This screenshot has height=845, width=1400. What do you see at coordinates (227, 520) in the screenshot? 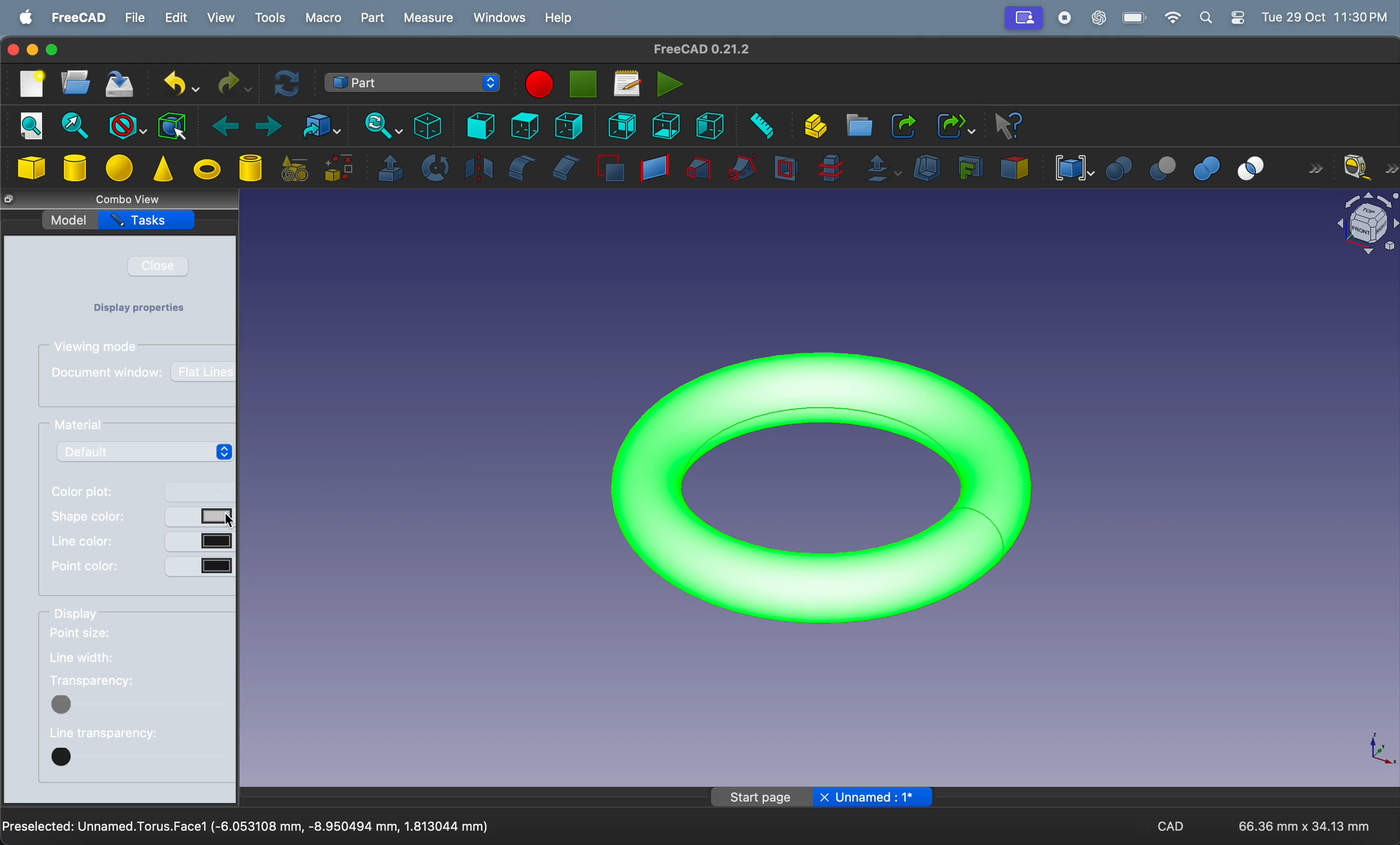
I see `cursor` at bounding box center [227, 520].